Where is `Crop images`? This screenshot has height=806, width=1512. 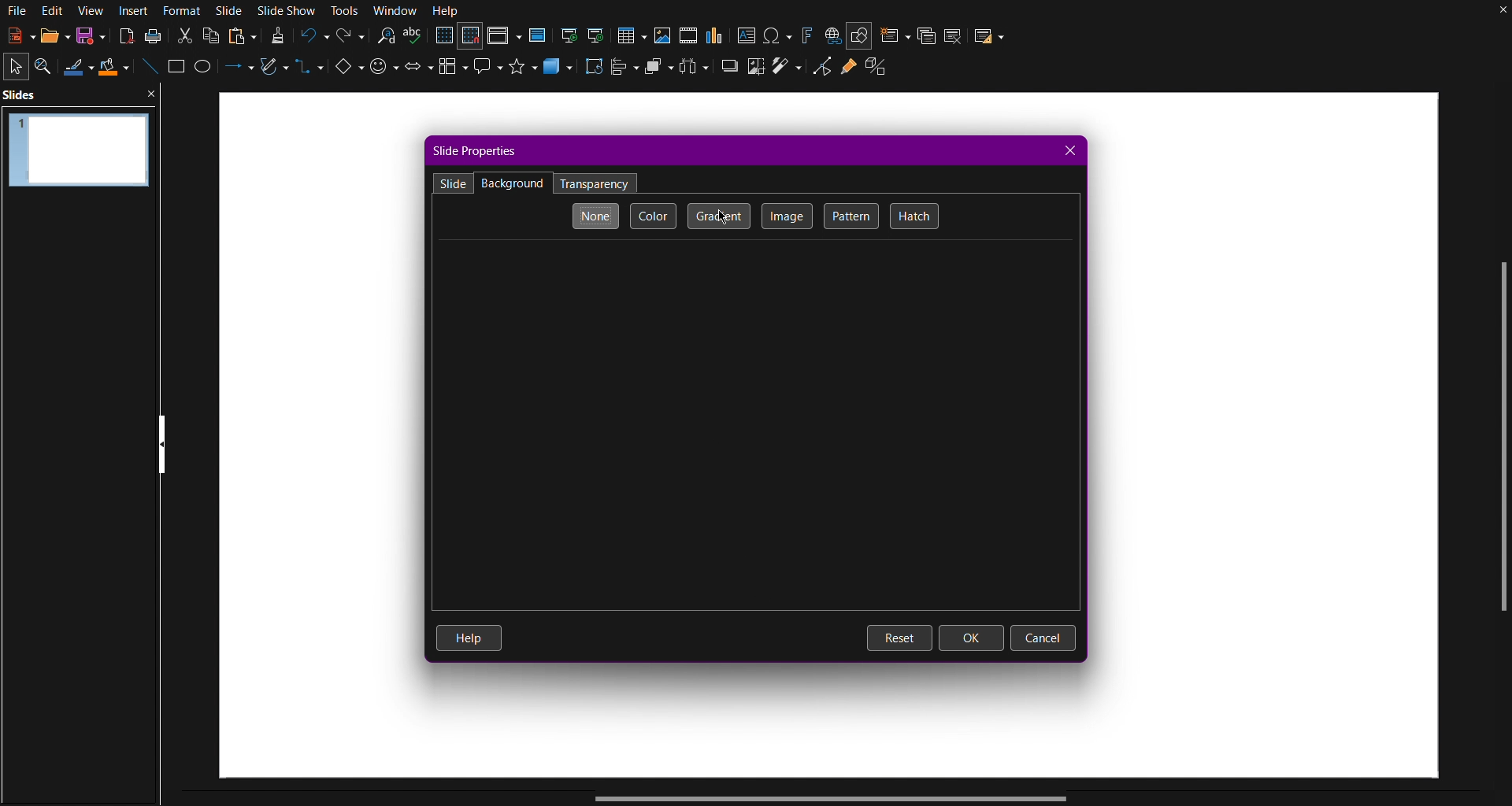 Crop images is located at coordinates (755, 72).